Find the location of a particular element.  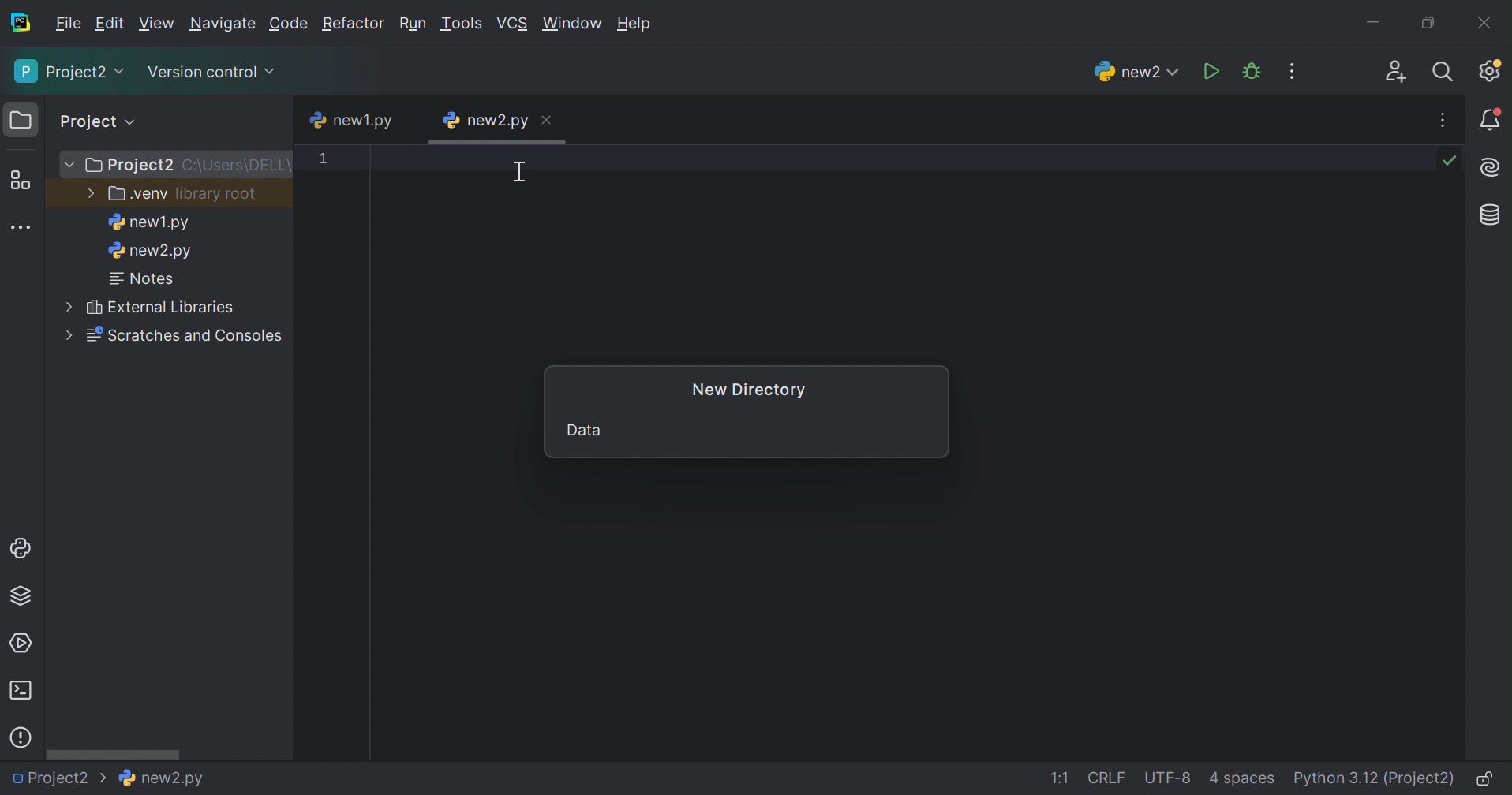

UTF-8 is located at coordinates (1167, 779).